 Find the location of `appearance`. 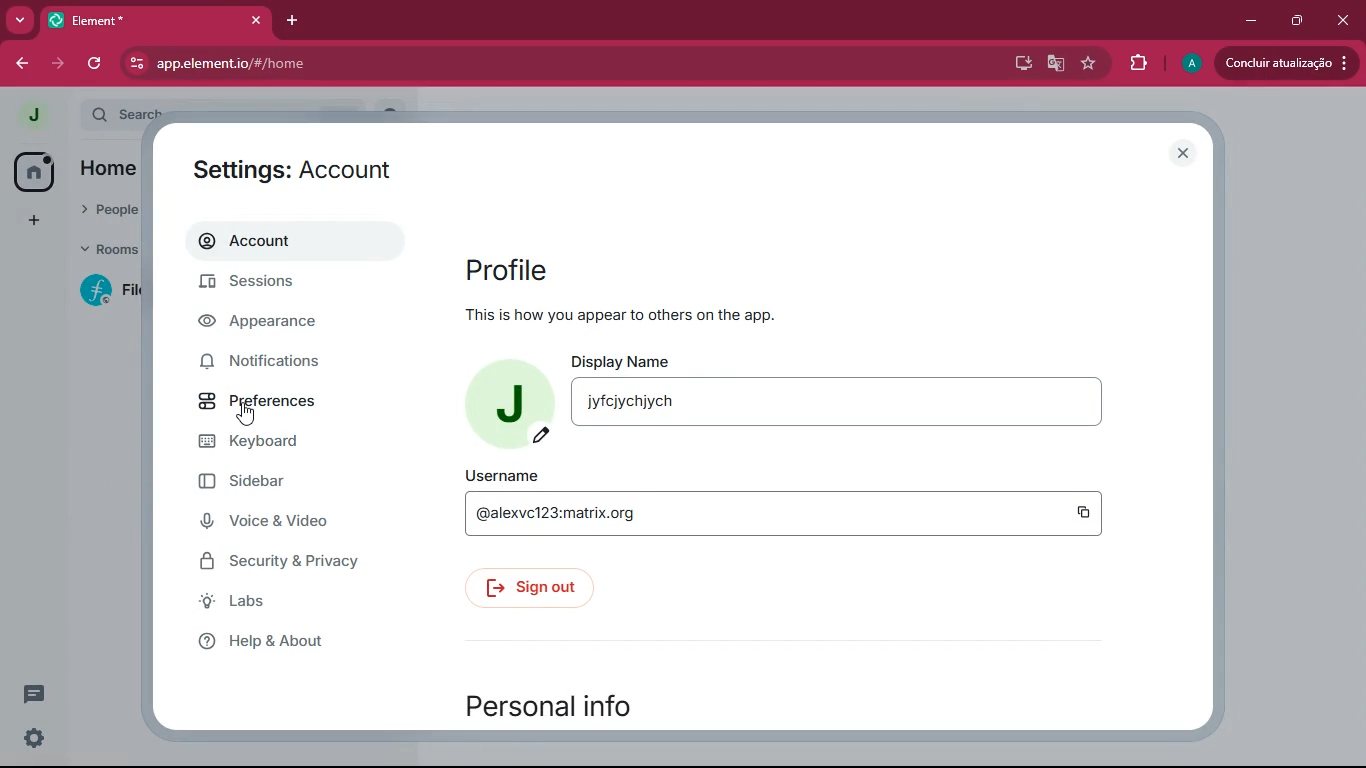

appearance is located at coordinates (272, 325).